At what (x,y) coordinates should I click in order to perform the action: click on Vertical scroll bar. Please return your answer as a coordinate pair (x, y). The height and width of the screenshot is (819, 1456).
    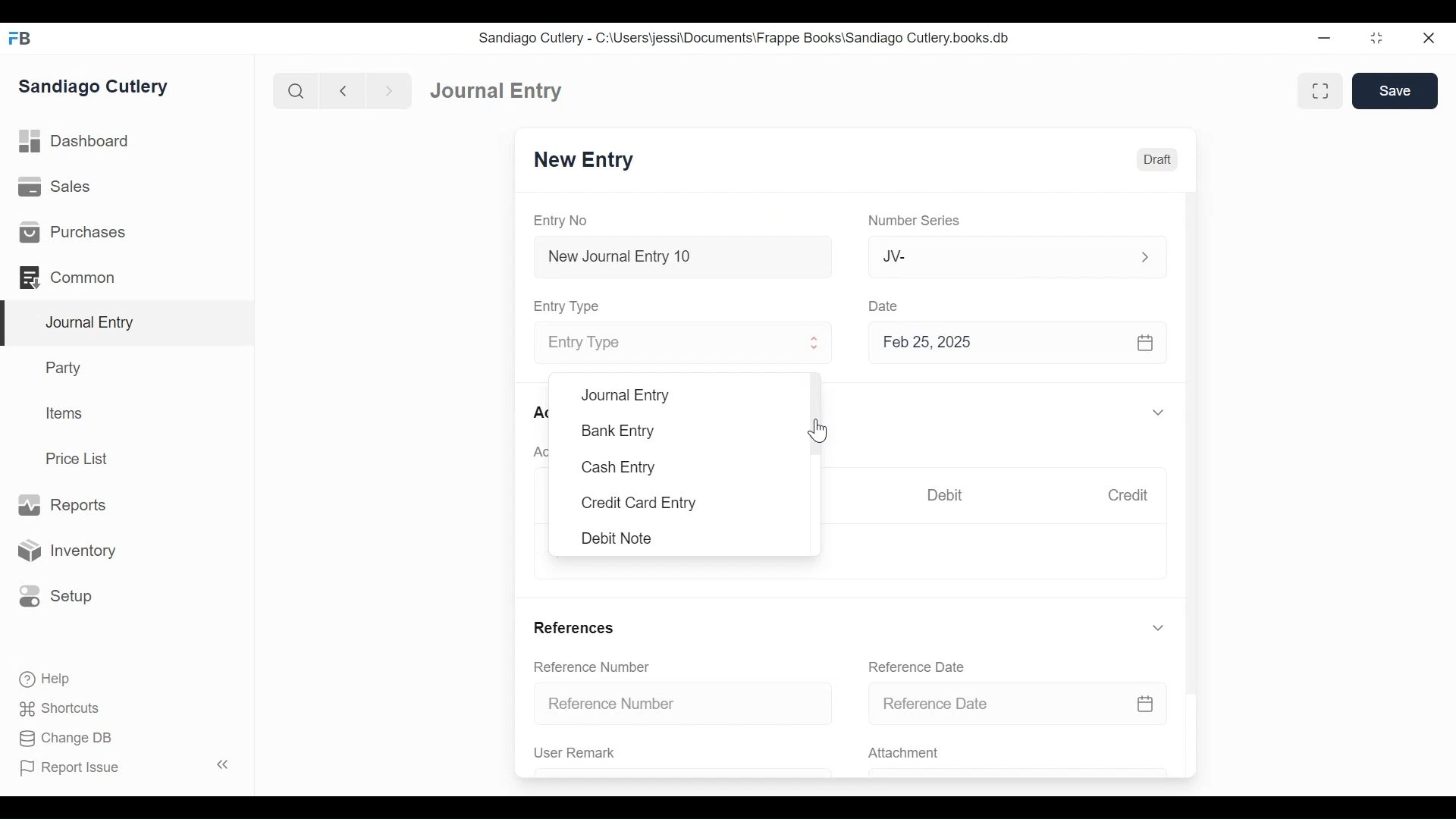
    Looking at the image, I should click on (820, 416).